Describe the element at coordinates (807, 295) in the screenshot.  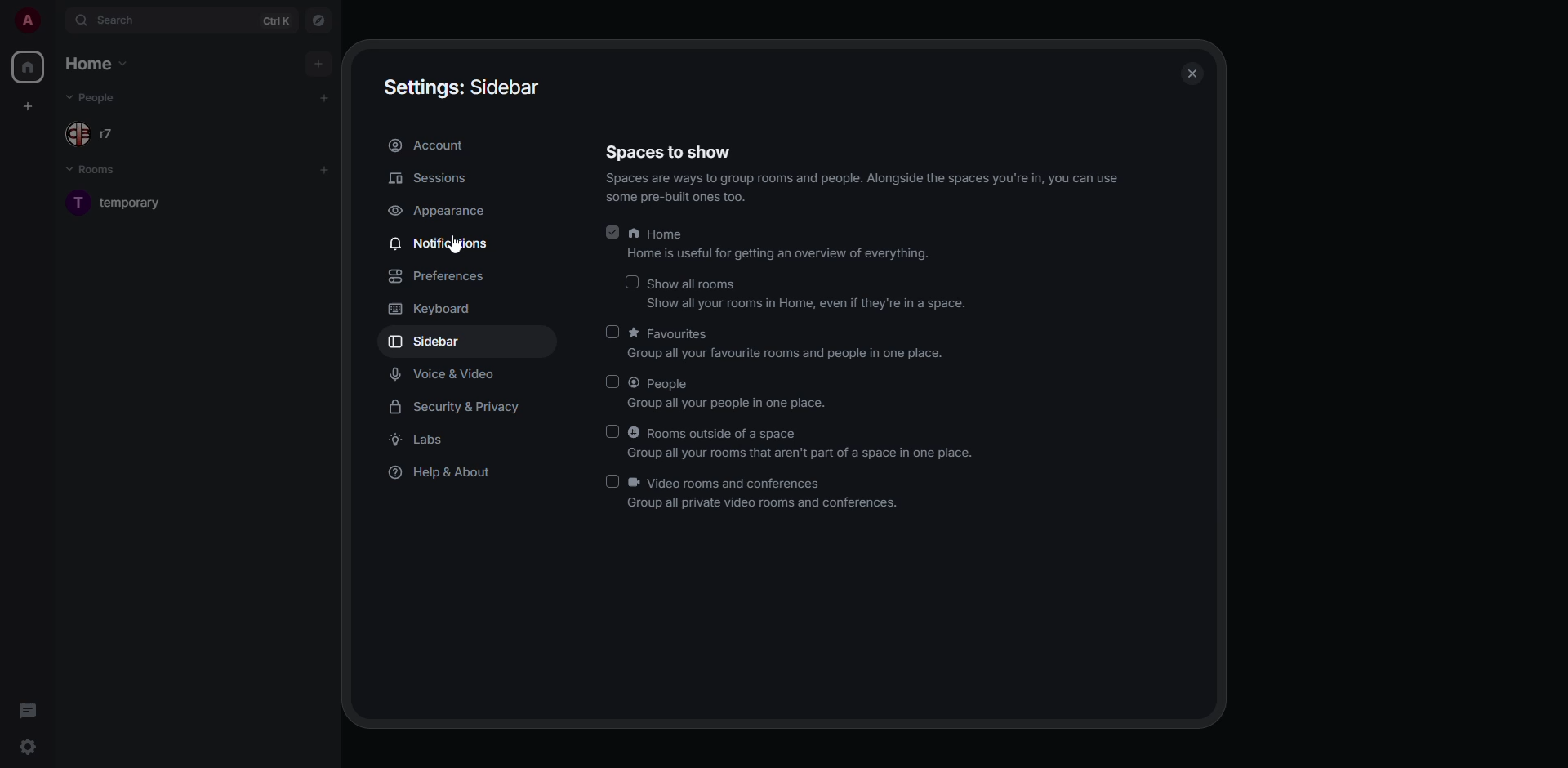
I see `show all rooms` at that location.